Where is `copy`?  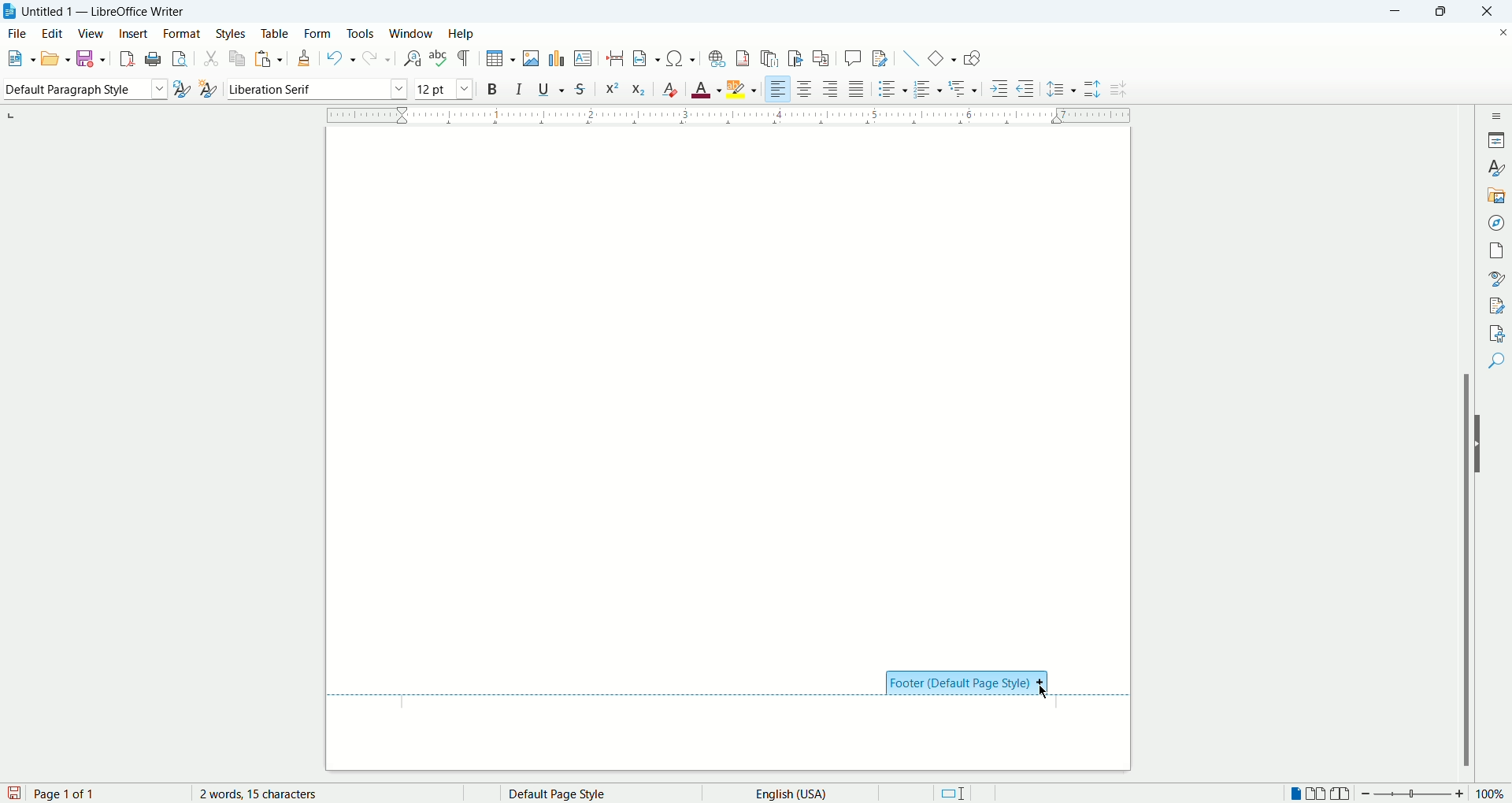
copy is located at coordinates (239, 57).